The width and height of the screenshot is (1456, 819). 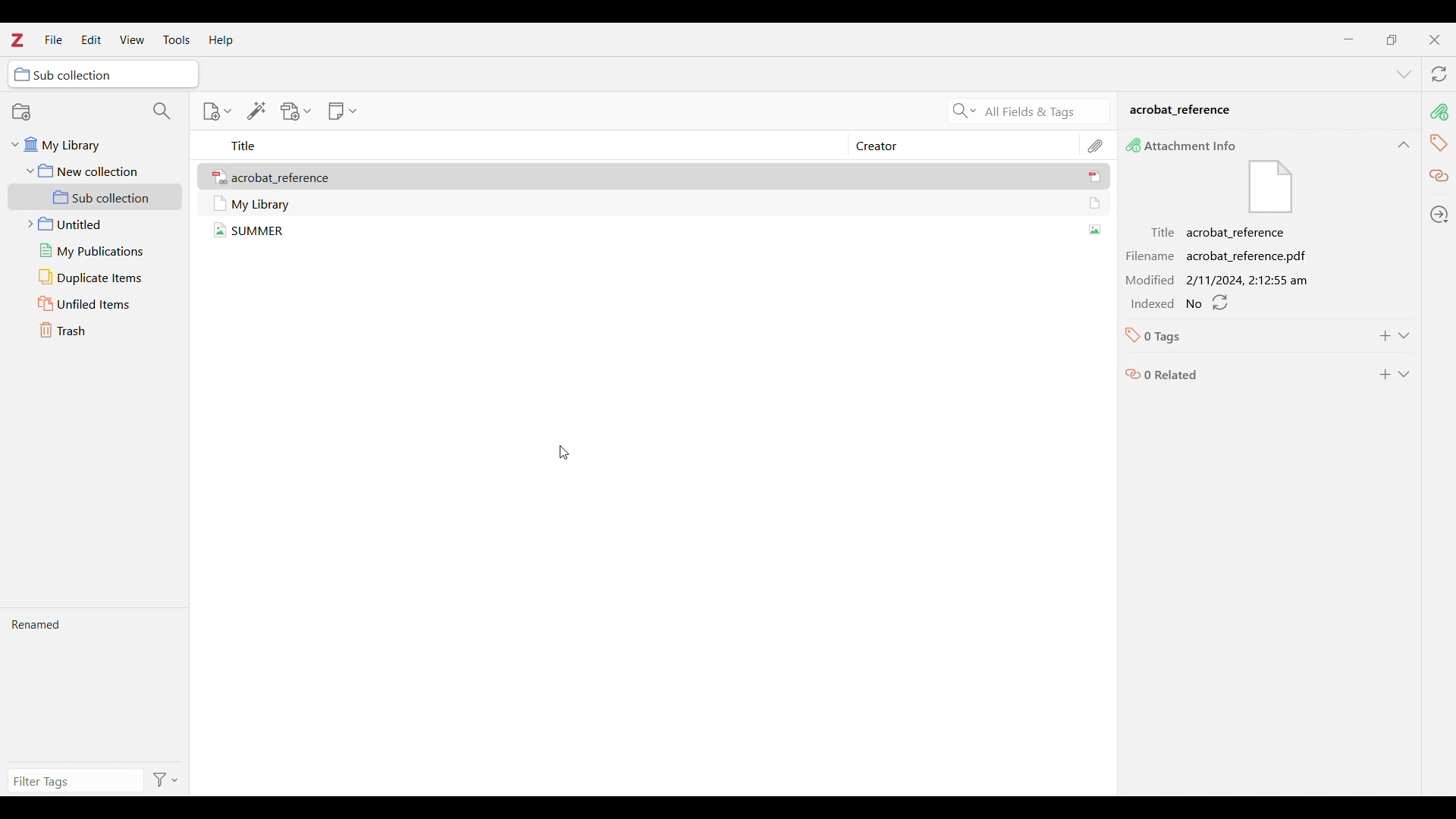 What do you see at coordinates (99, 304) in the screenshot?
I see `Unfiled items folder` at bounding box center [99, 304].